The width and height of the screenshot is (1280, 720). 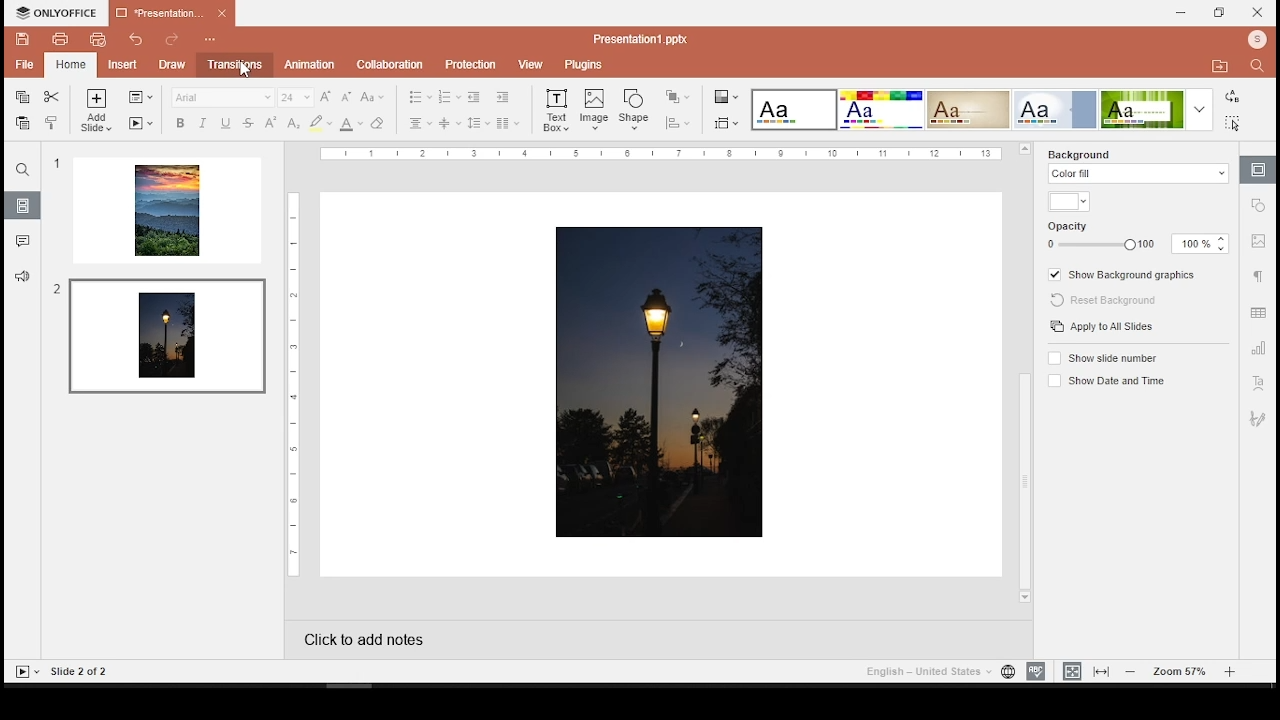 What do you see at coordinates (21, 65) in the screenshot?
I see `file` at bounding box center [21, 65].